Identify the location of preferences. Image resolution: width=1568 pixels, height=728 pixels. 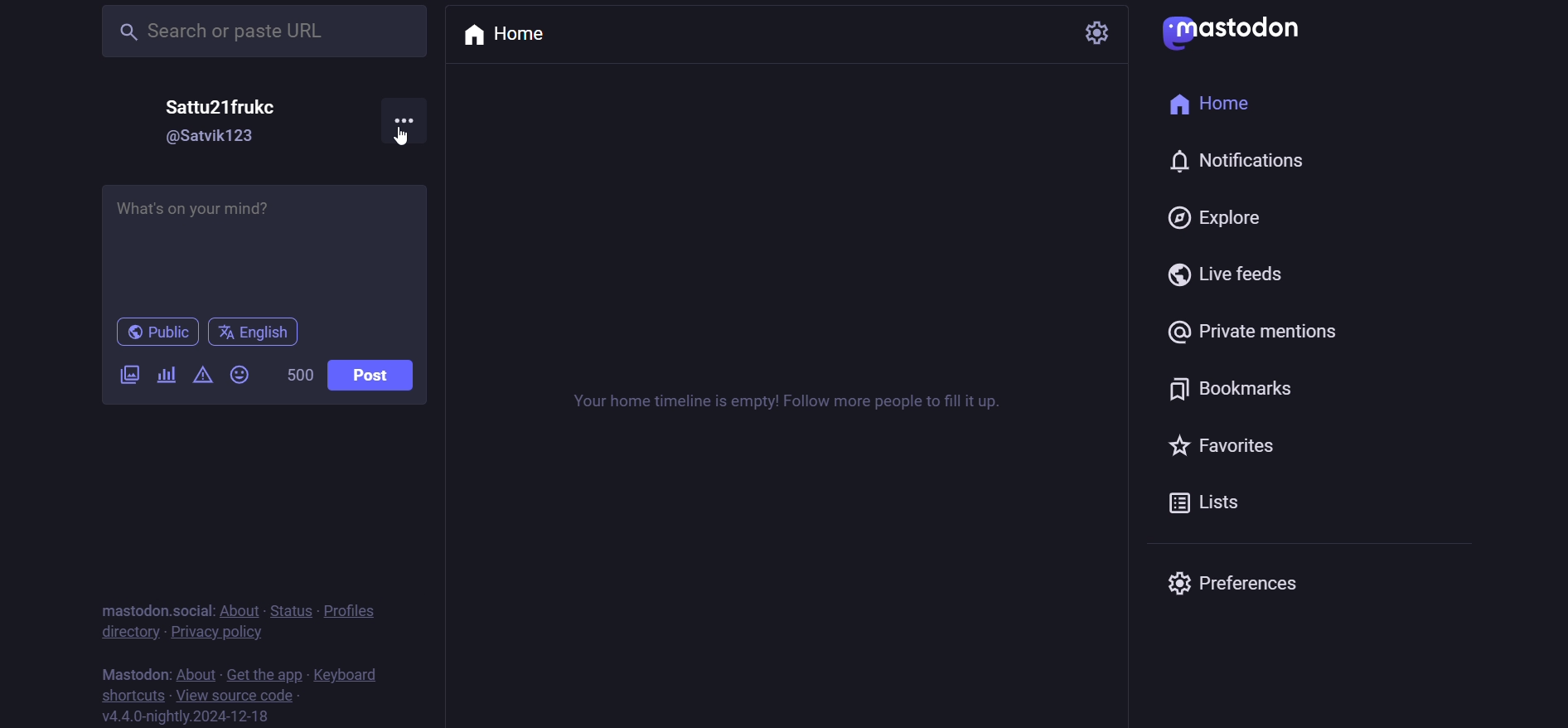
(1230, 584).